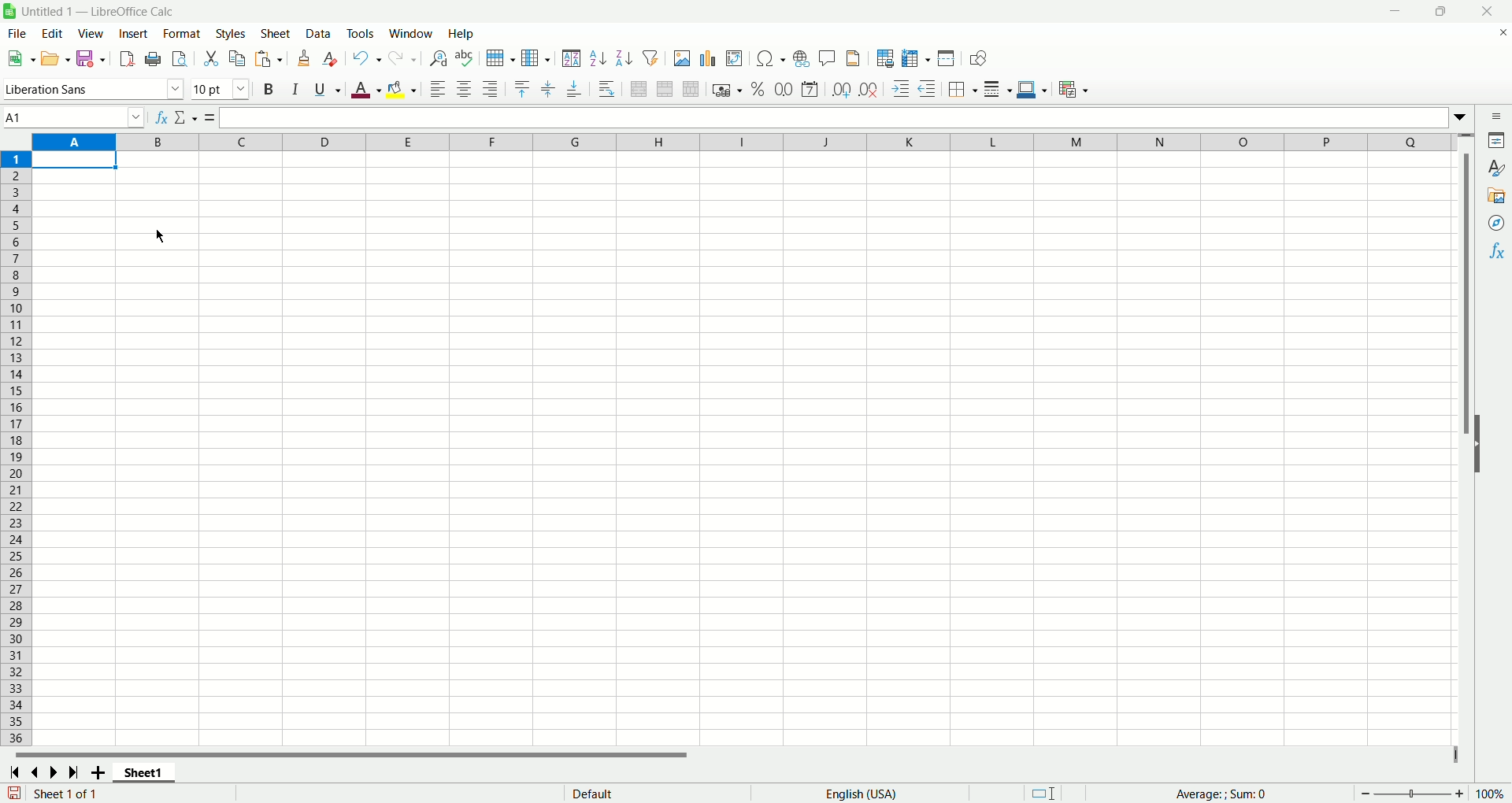 The width and height of the screenshot is (1512, 803). I want to click on close, so click(1488, 11).